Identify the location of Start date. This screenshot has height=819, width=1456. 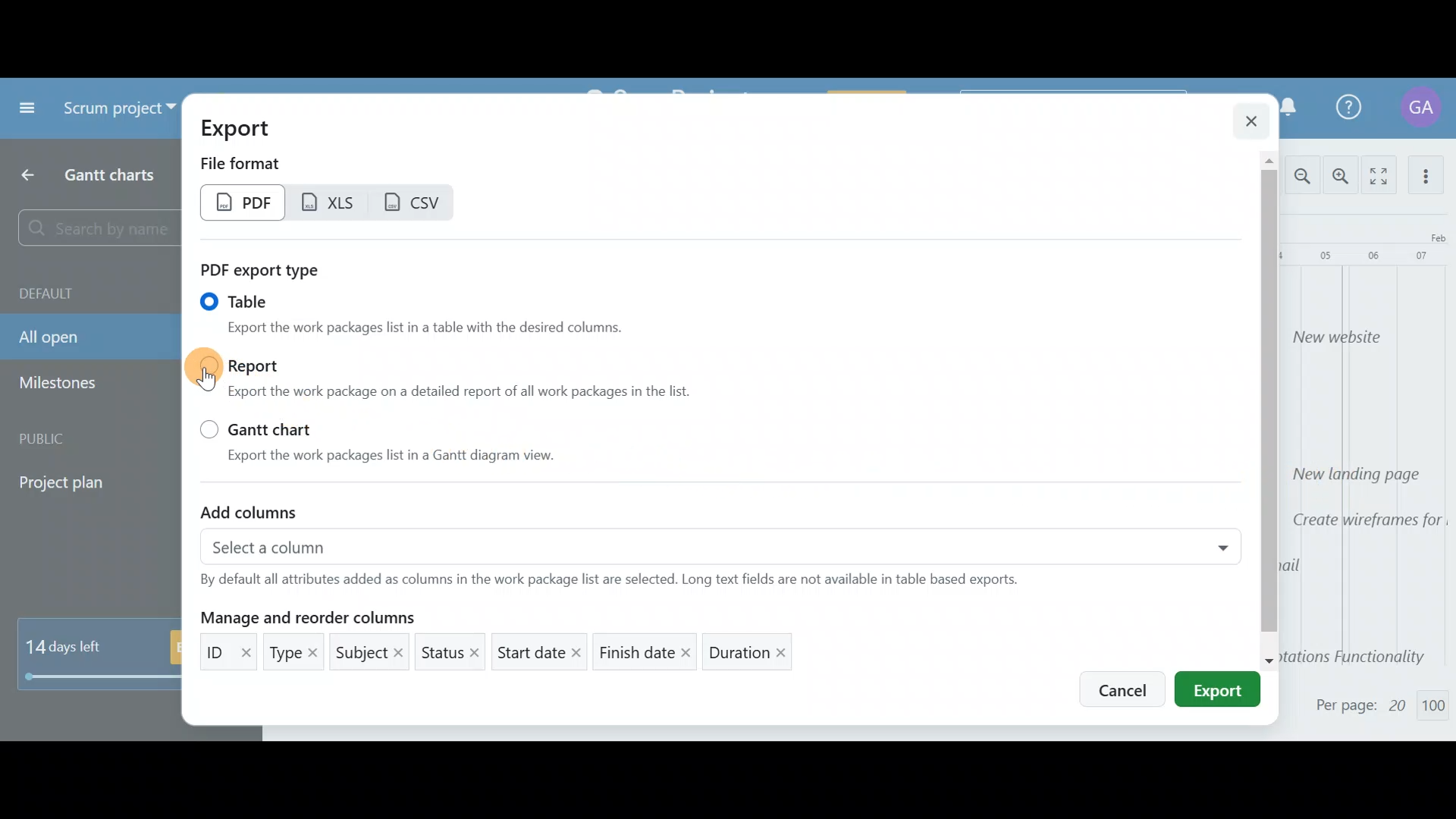
(538, 653).